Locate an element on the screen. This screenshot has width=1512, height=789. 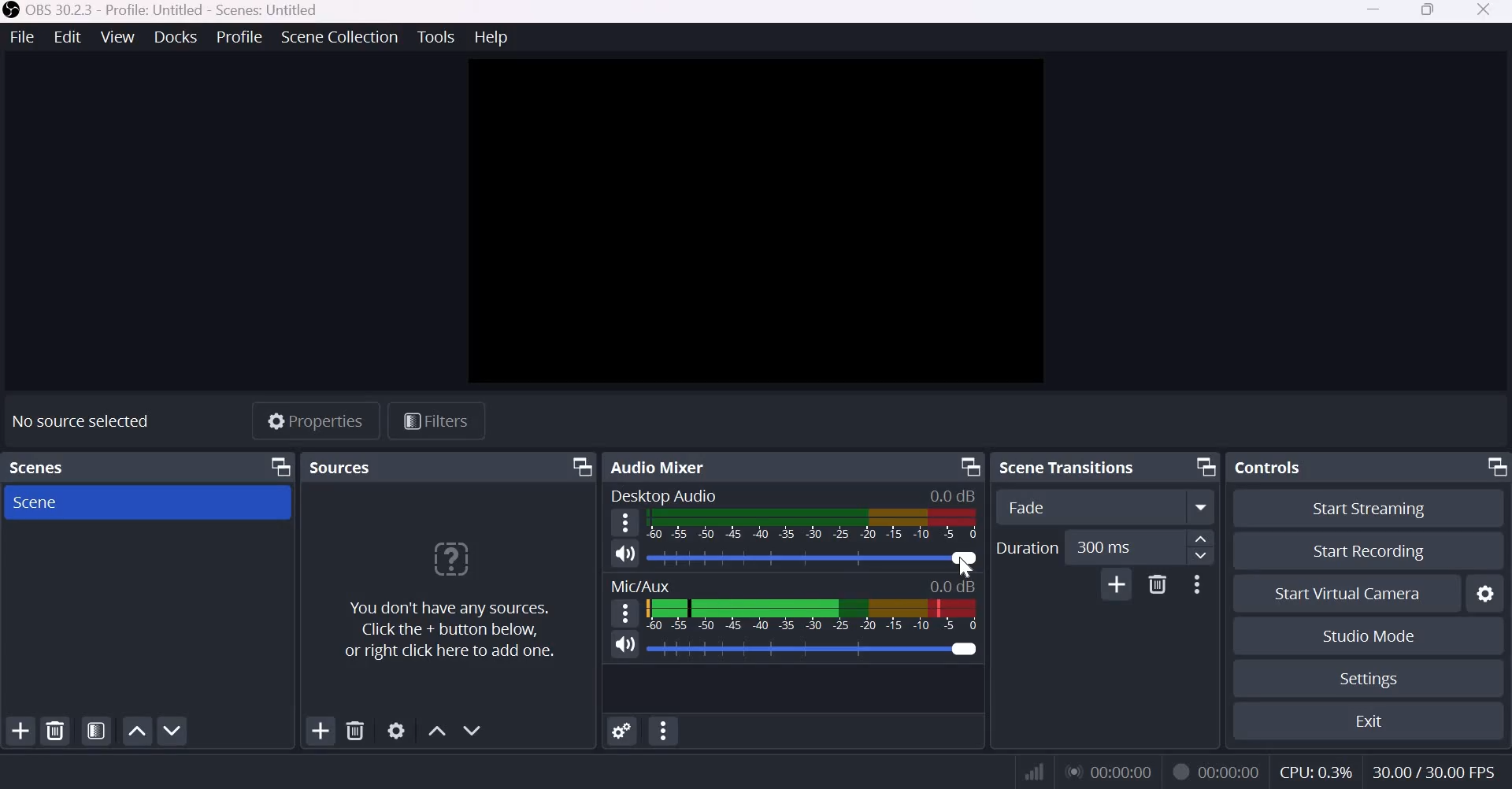
Open source filters is located at coordinates (436, 420).